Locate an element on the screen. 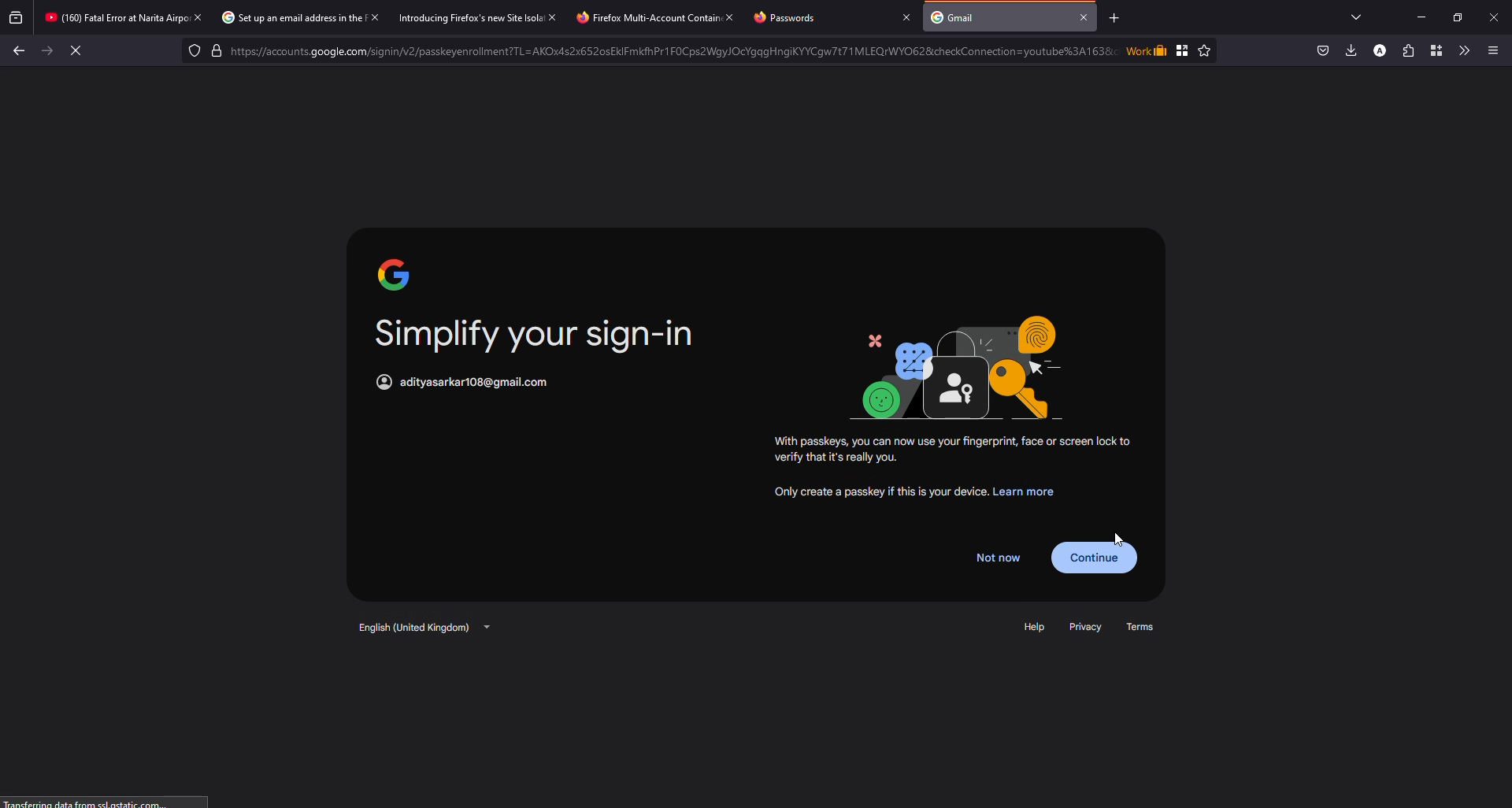  terms is located at coordinates (1145, 628).